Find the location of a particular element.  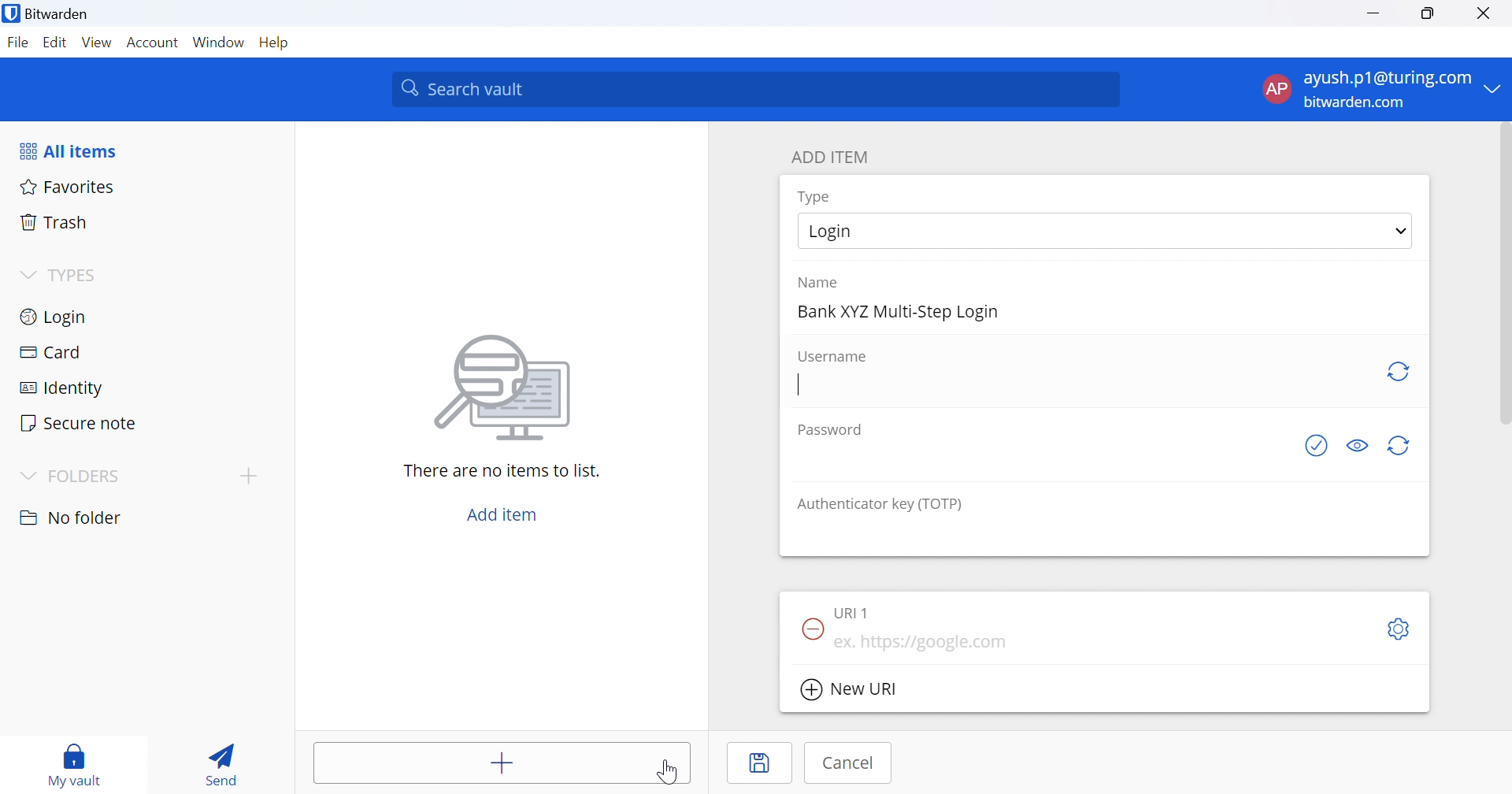

Favorites is located at coordinates (68, 186).